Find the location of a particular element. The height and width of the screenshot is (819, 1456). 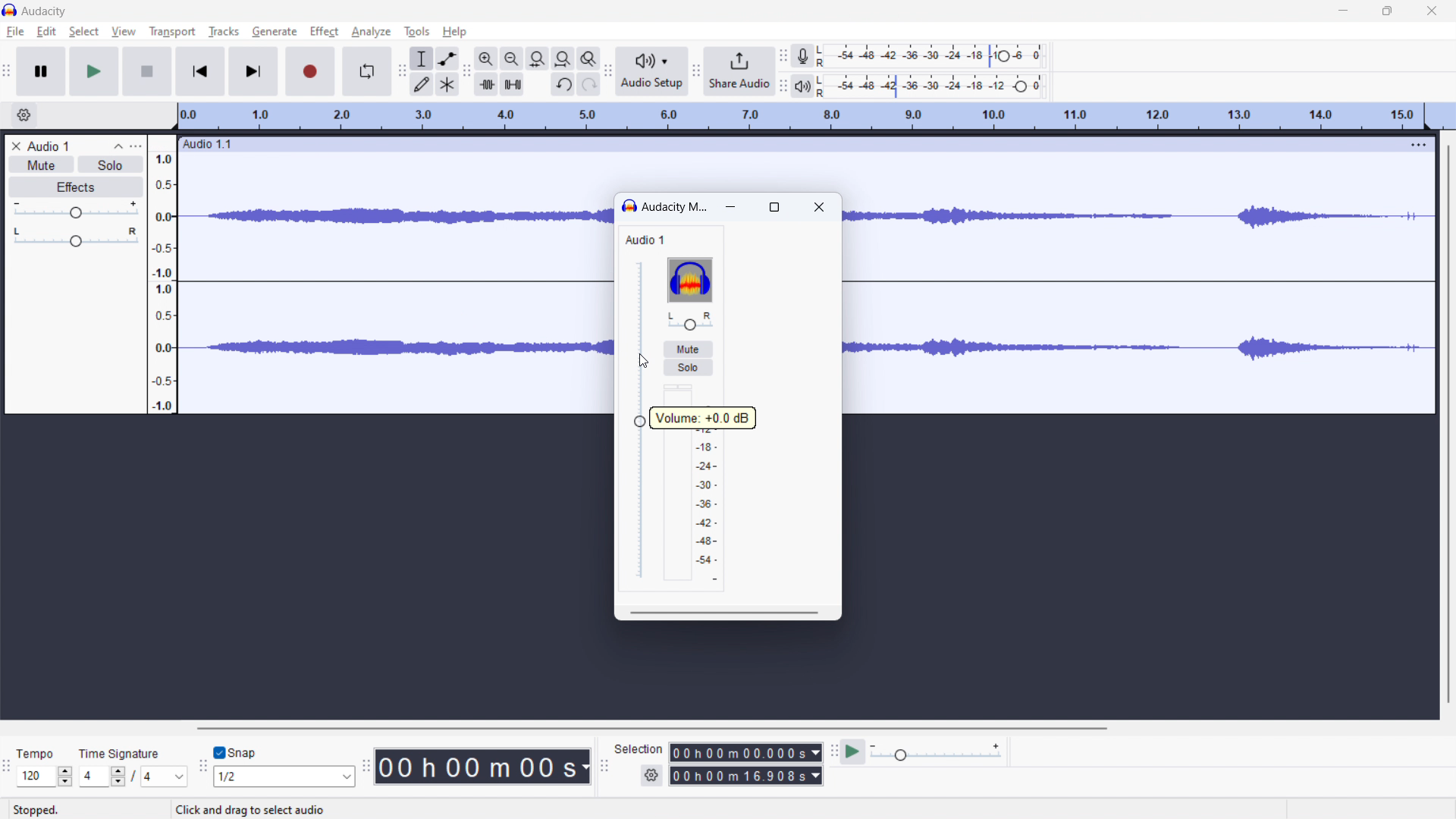

selection tool is located at coordinates (421, 58).